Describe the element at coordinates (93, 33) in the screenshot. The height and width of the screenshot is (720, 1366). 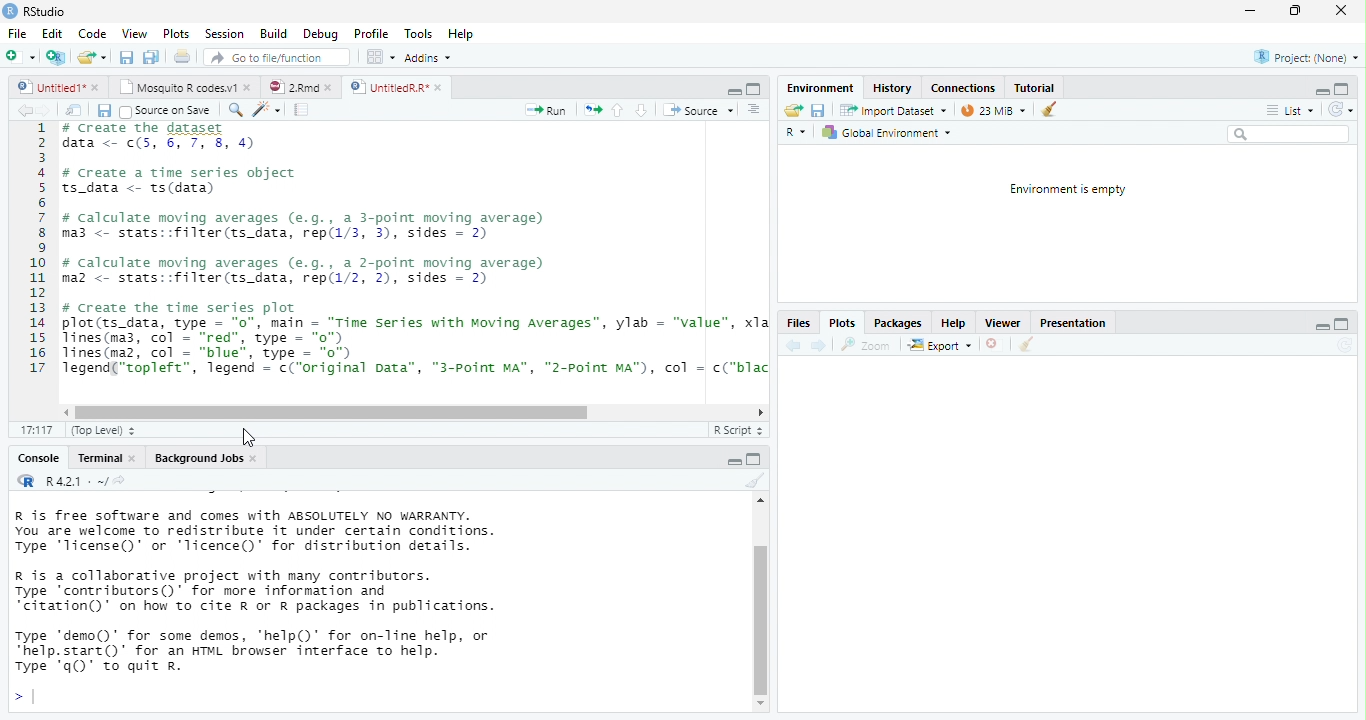
I see `Code` at that location.